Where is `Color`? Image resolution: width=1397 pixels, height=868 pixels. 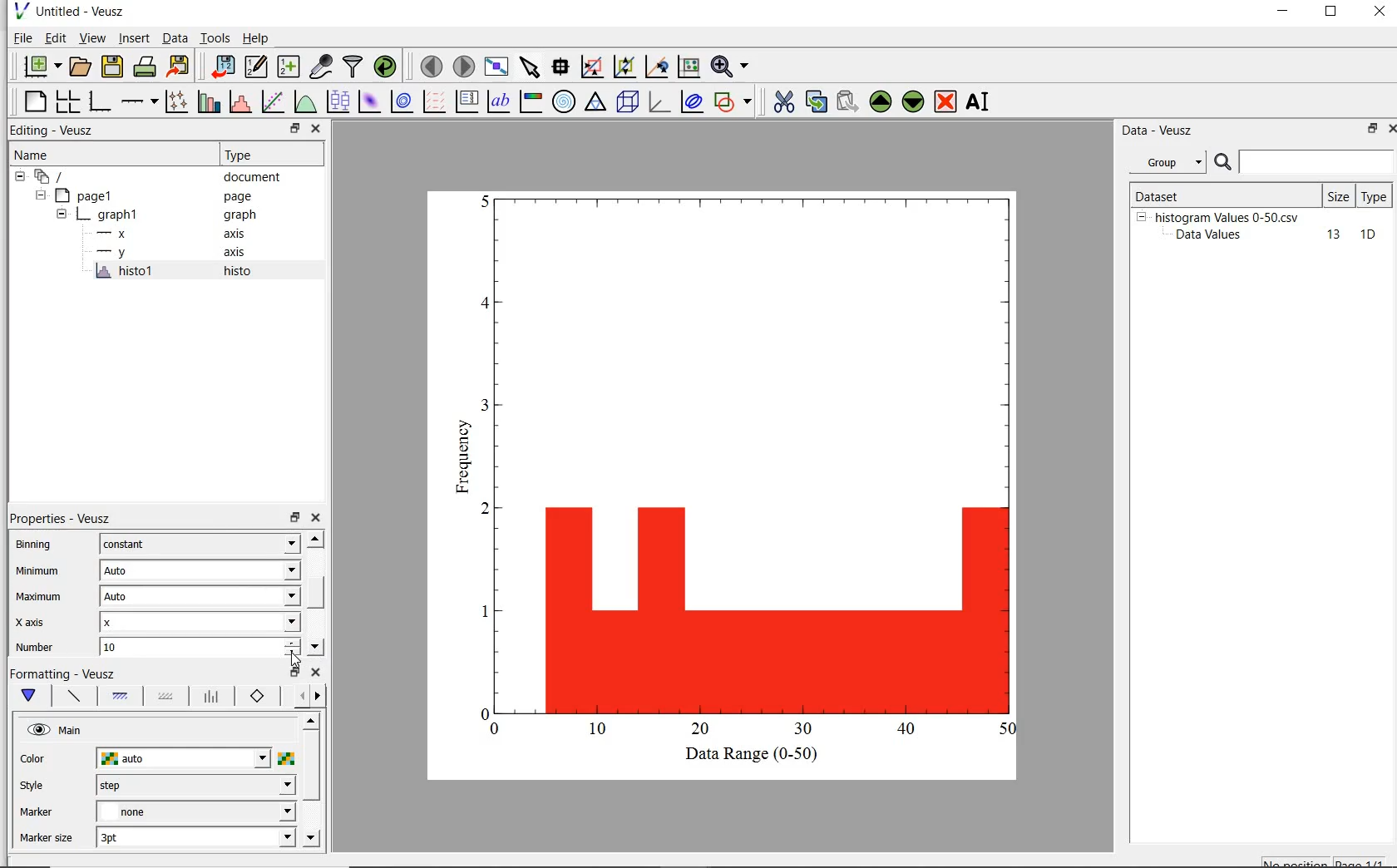
Color is located at coordinates (34, 760).